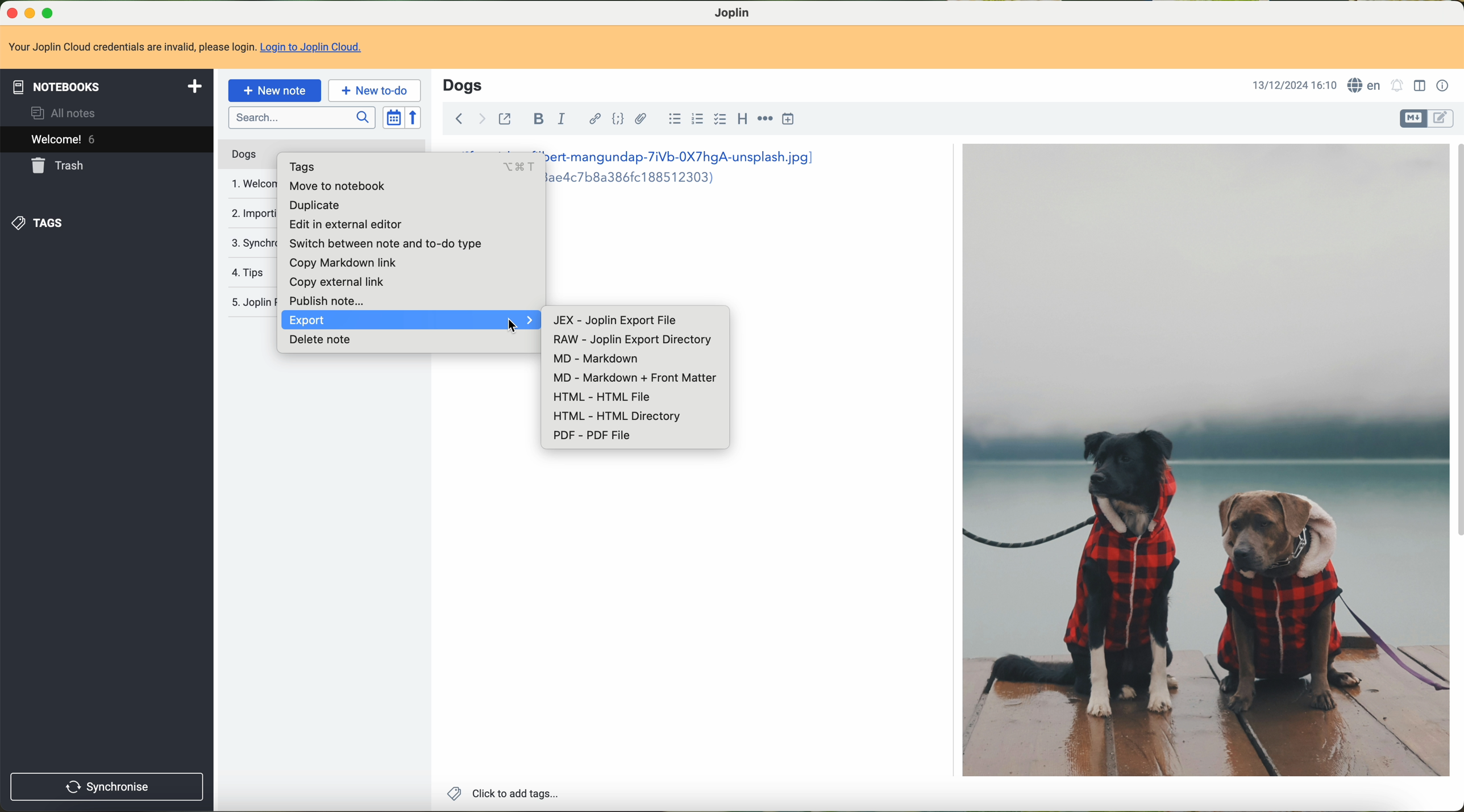 The image size is (1464, 812). What do you see at coordinates (538, 120) in the screenshot?
I see `bold` at bounding box center [538, 120].